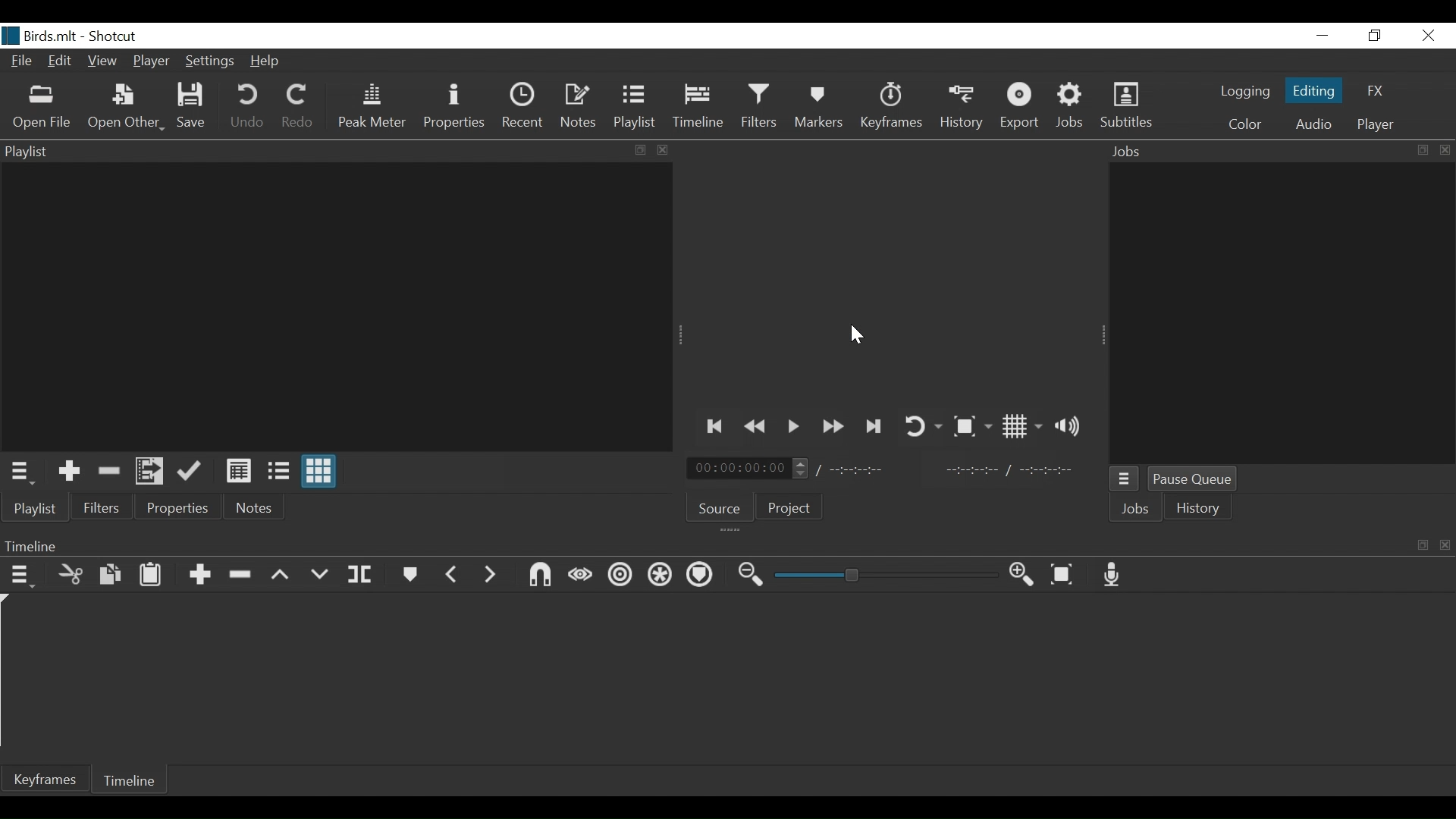 The width and height of the screenshot is (1456, 819). I want to click on Clip Thumbnail, so click(332, 306).